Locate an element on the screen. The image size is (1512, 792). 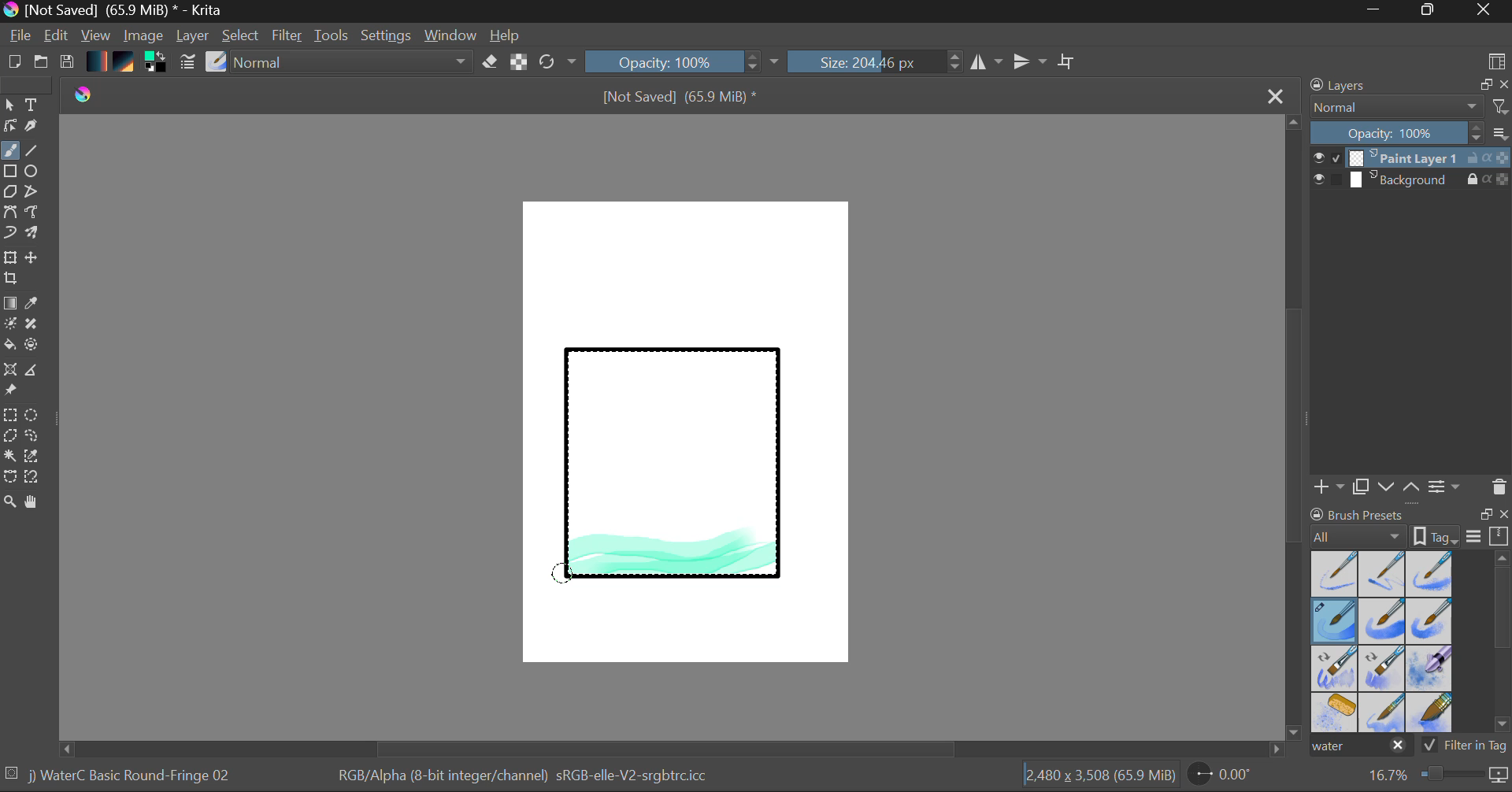
Elipses is located at coordinates (34, 172).